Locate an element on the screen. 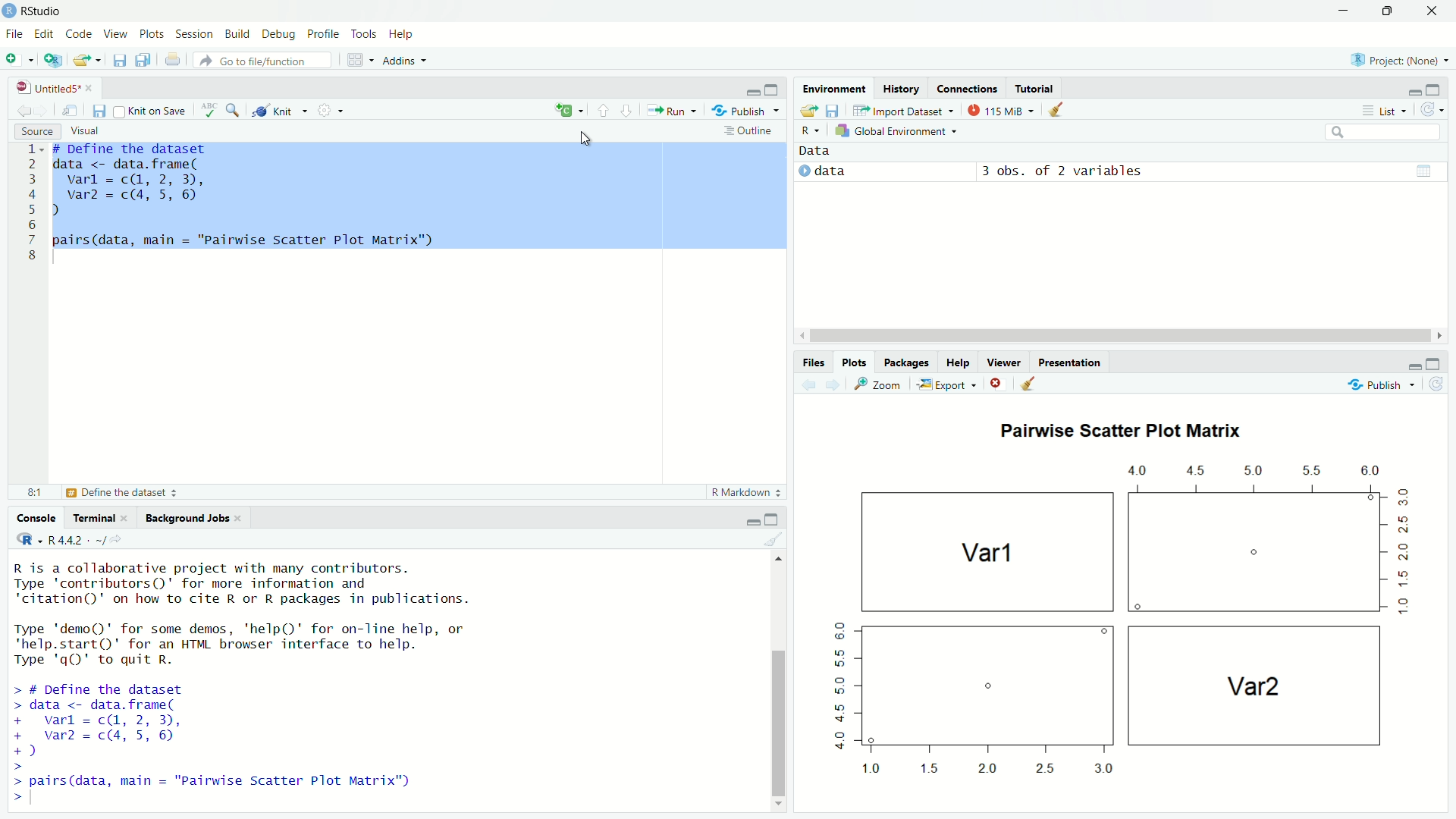  Publish is located at coordinates (1373, 384).